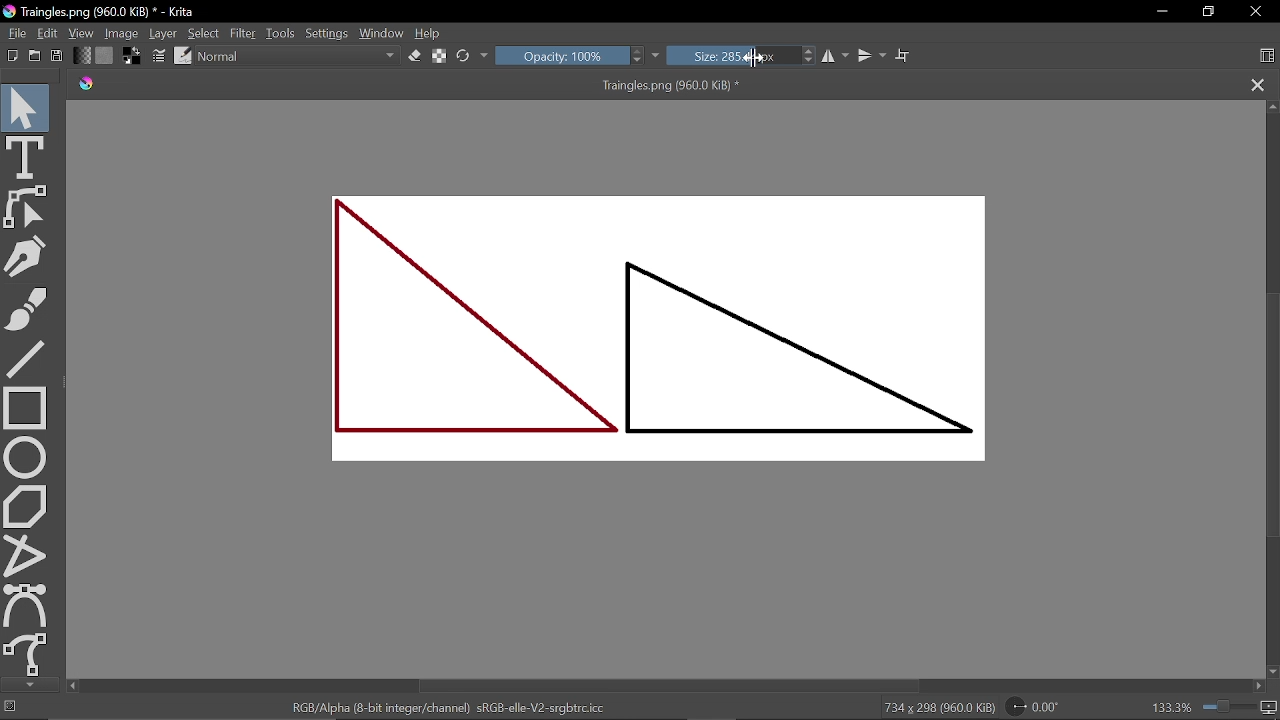 This screenshot has height=720, width=1280. I want to click on Move down, so click(1272, 671).